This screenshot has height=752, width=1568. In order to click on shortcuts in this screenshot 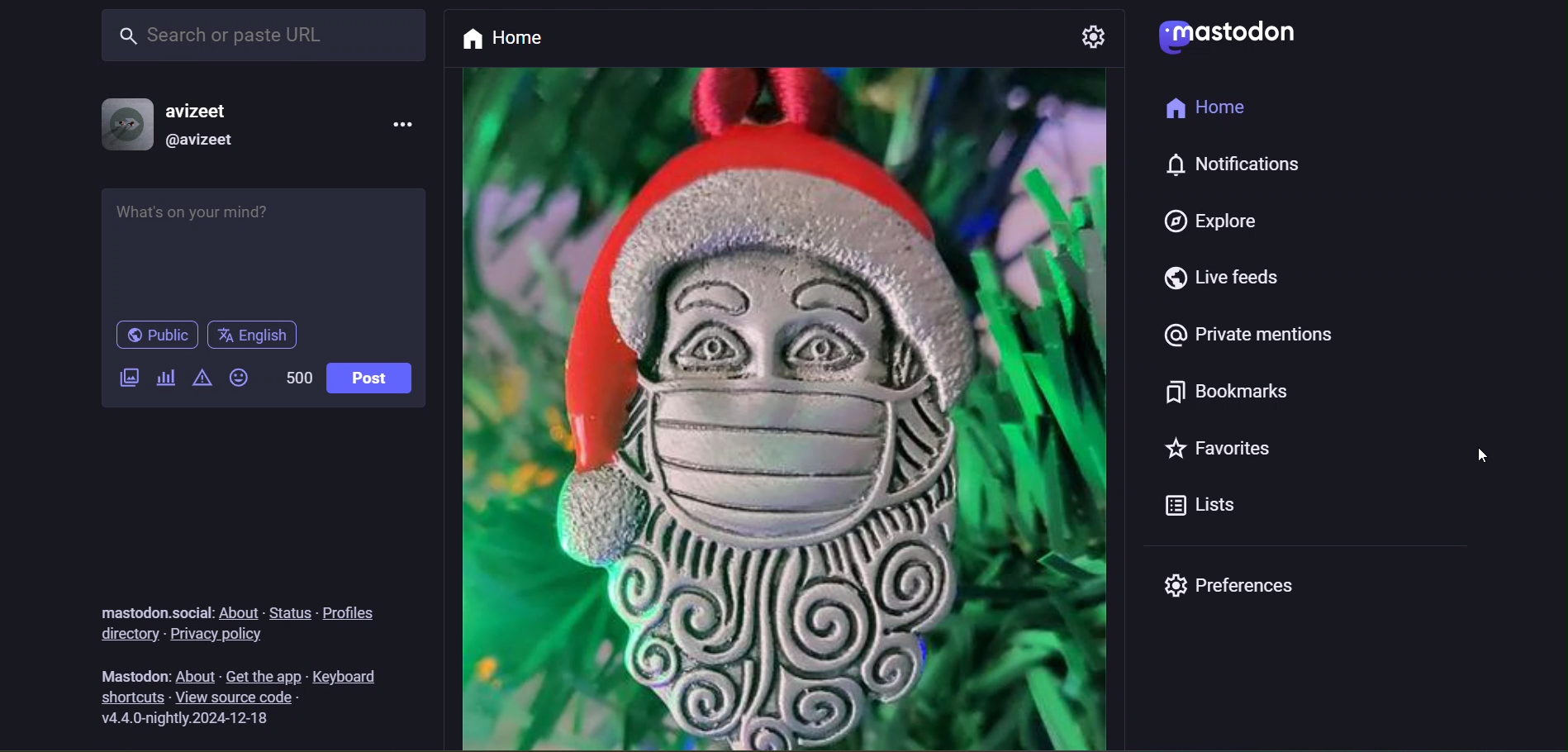, I will do `click(126, 696)`.